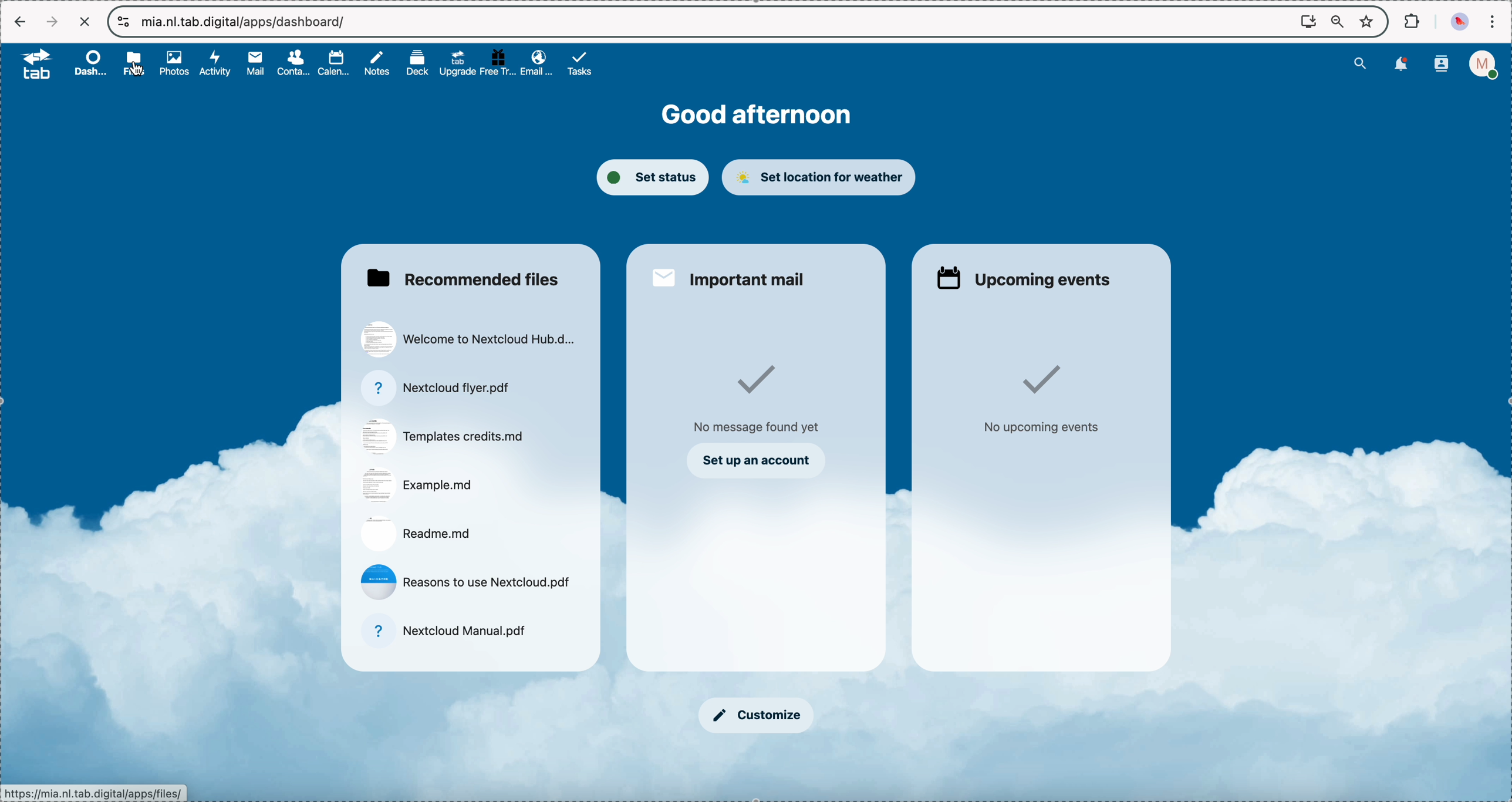 This screenshot has height=802, width=1512. I want to click on upcoming events, so click(1023, 275).